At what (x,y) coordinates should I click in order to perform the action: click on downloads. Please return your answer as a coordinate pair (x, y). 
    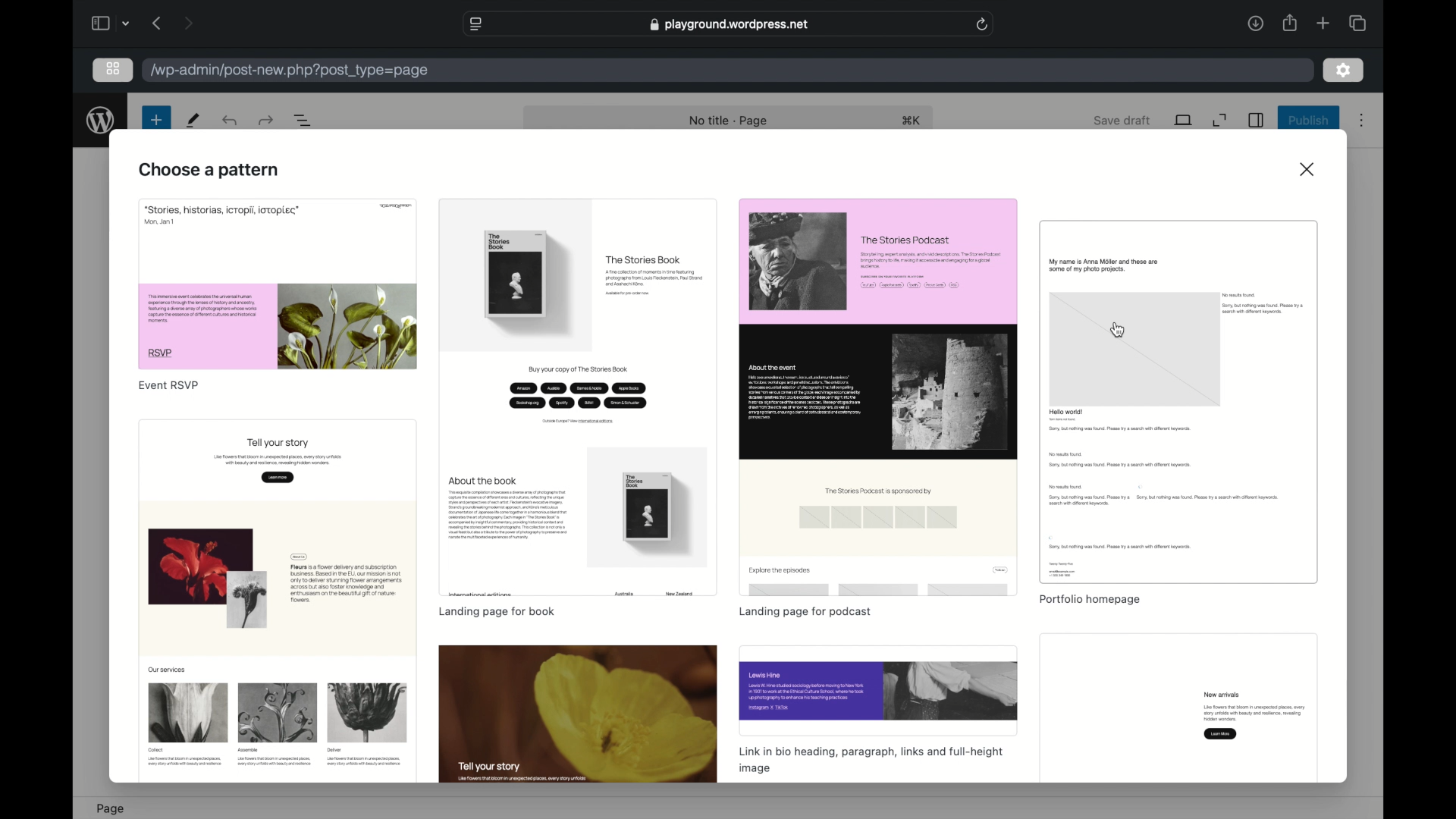
    Looking at the image, I should click on (1255, 23).